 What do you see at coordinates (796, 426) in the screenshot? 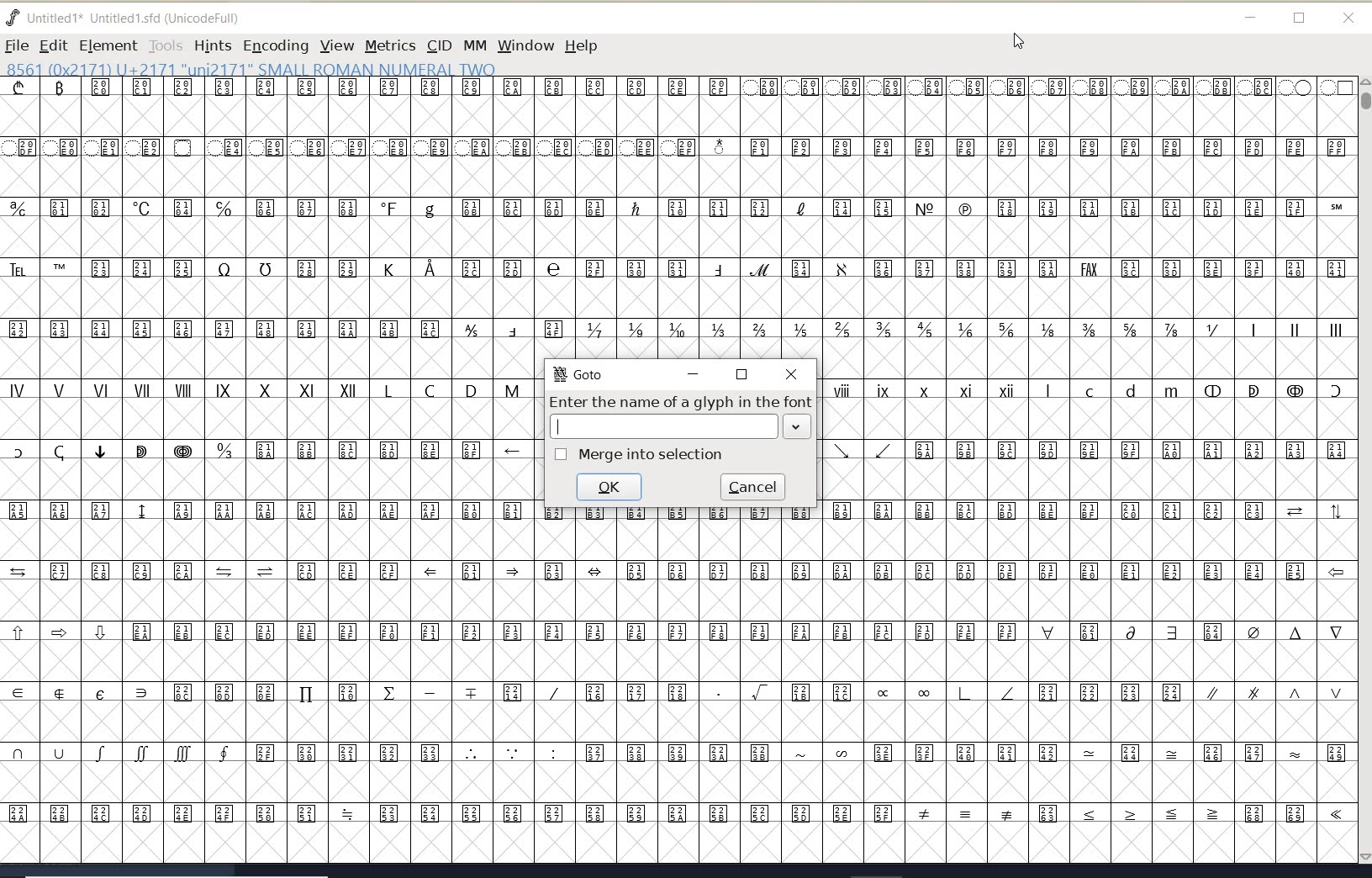
I see `EXPAND` at bounding box center [796, 426].